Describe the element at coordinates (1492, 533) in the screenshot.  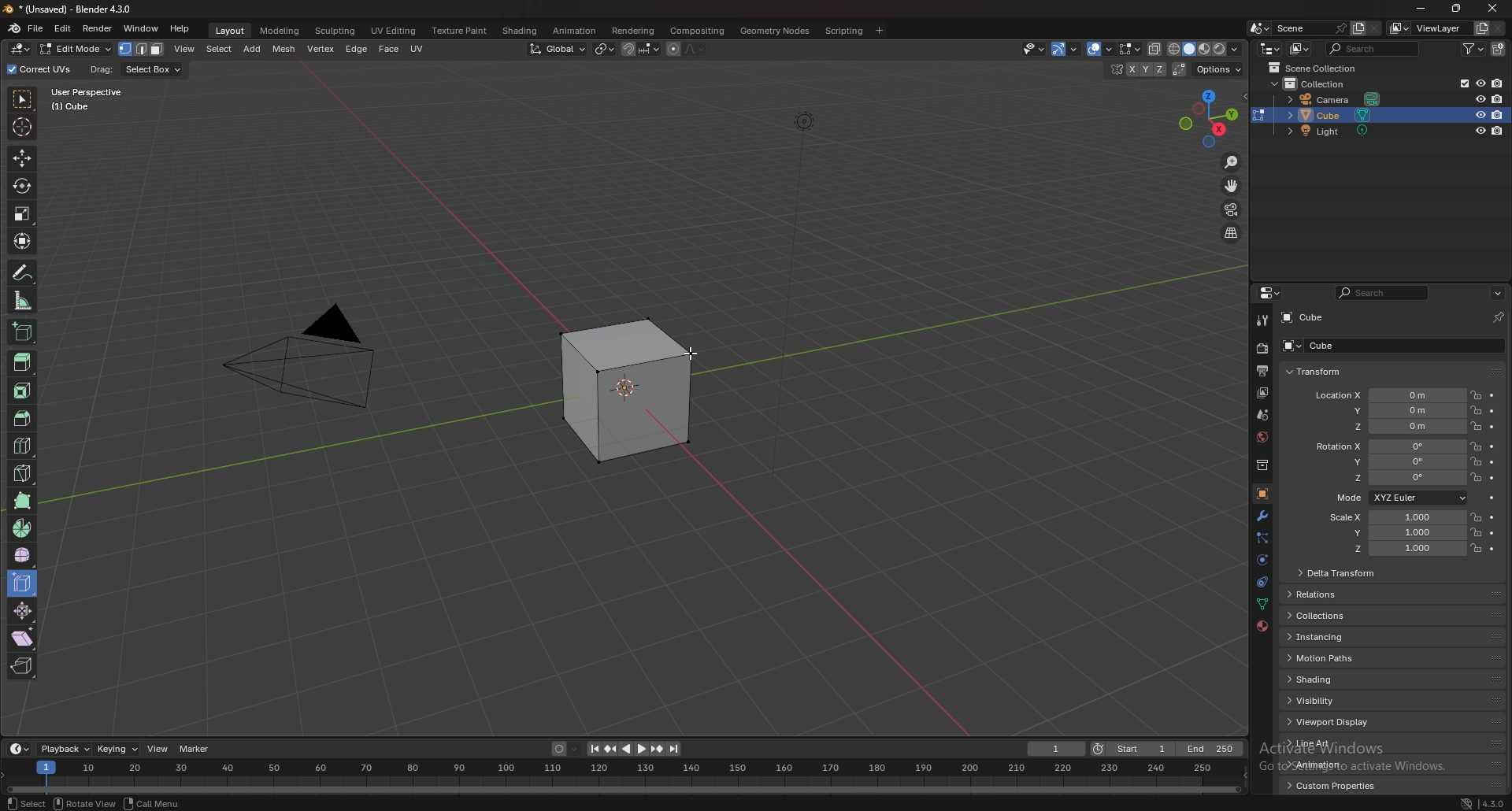
I see `animate property` at that location.